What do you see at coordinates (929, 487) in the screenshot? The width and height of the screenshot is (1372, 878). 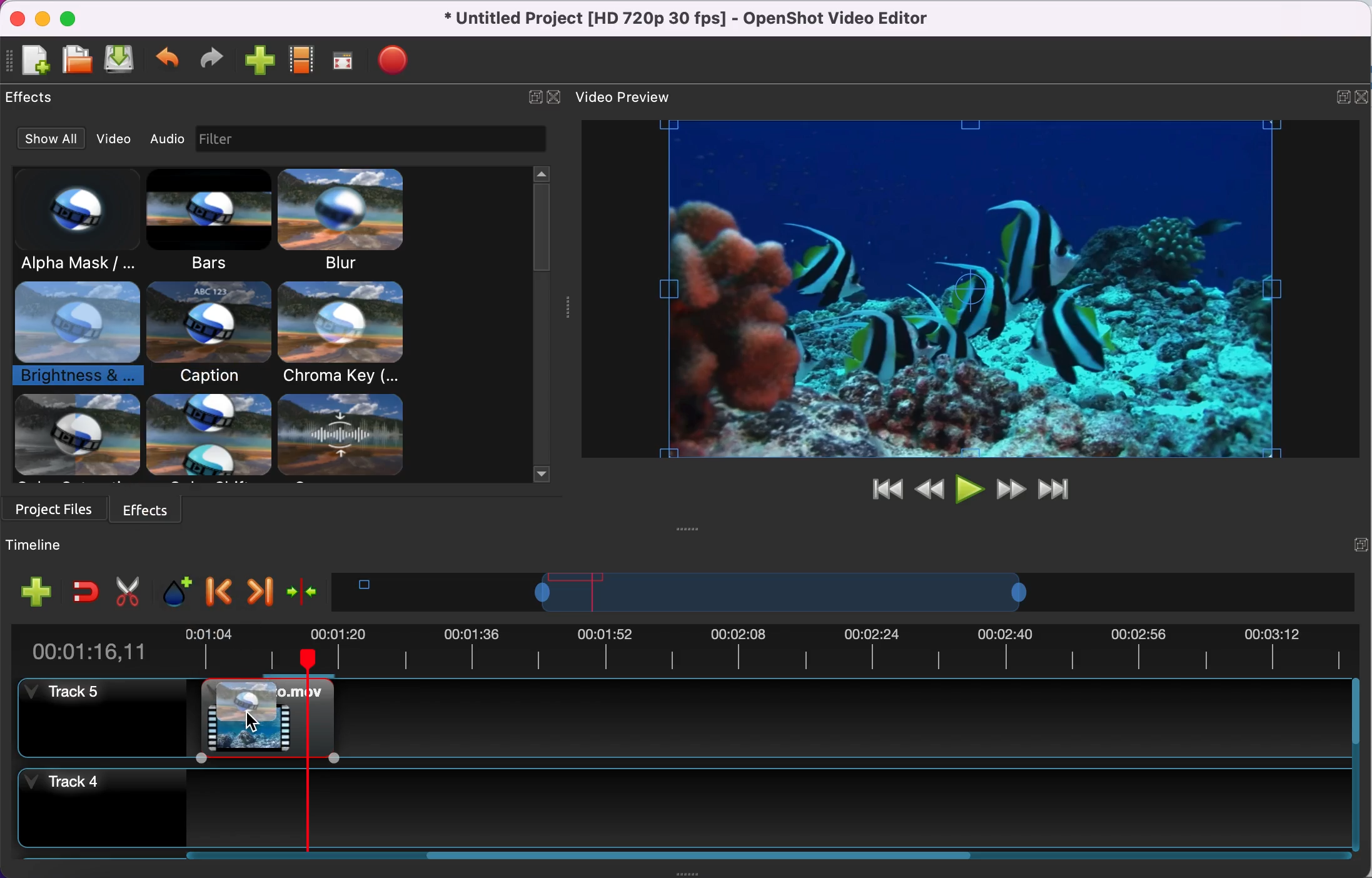 I see `review` at bounding box center [929, 487].